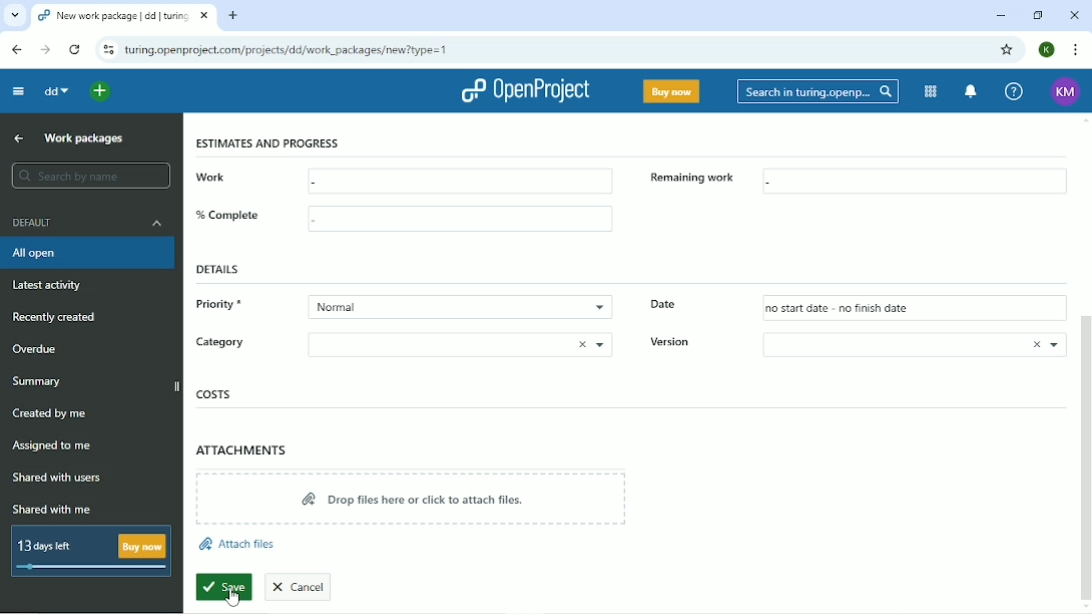  Describe the element at coordinates (901, 308) in the screenshot. I see `no start date - no finish date` at that location.